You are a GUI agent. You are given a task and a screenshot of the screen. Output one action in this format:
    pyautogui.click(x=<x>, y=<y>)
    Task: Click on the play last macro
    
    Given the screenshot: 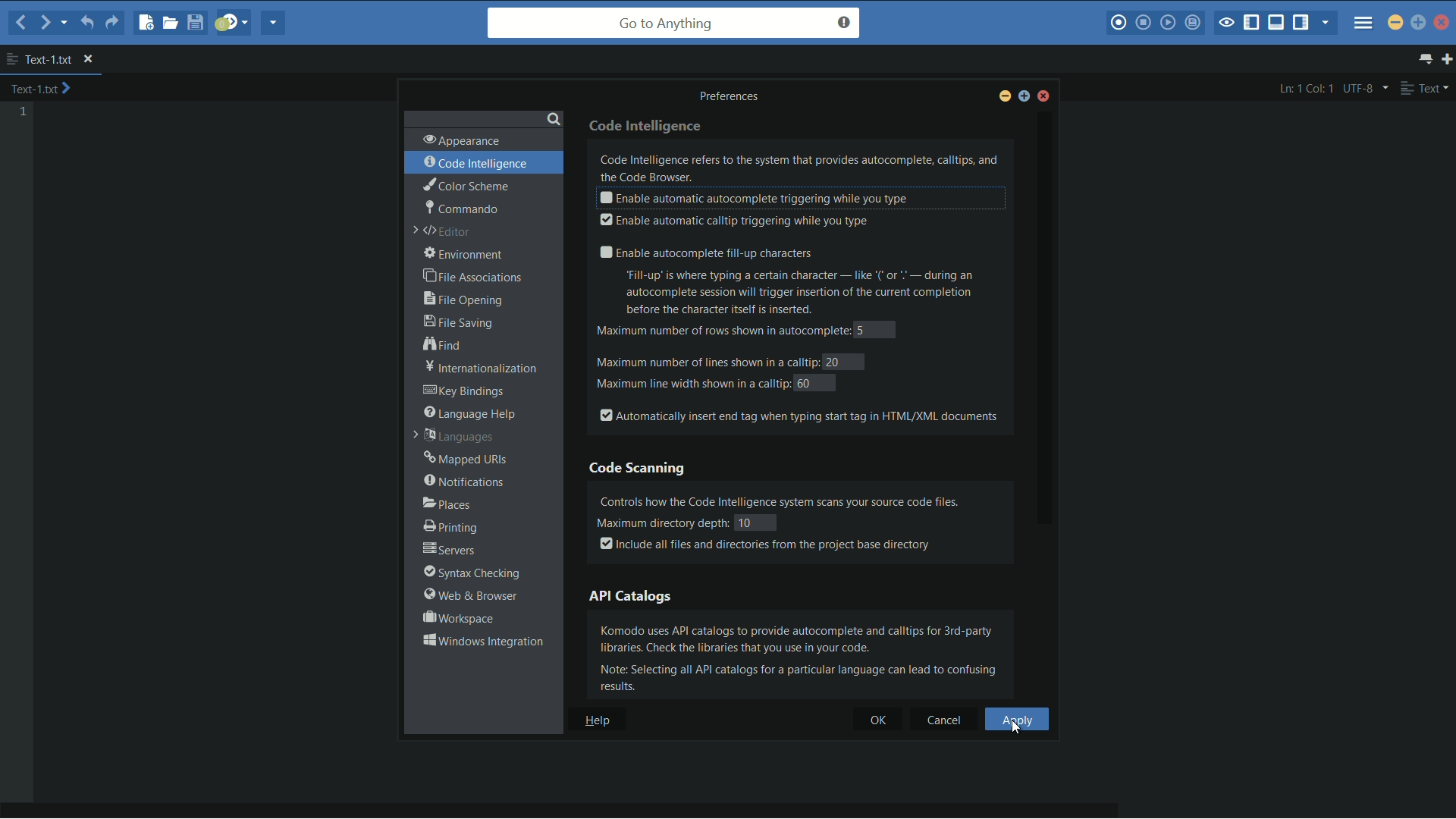 What is the action you would take?
    pyautogui.click(x=1167, y=23)
    